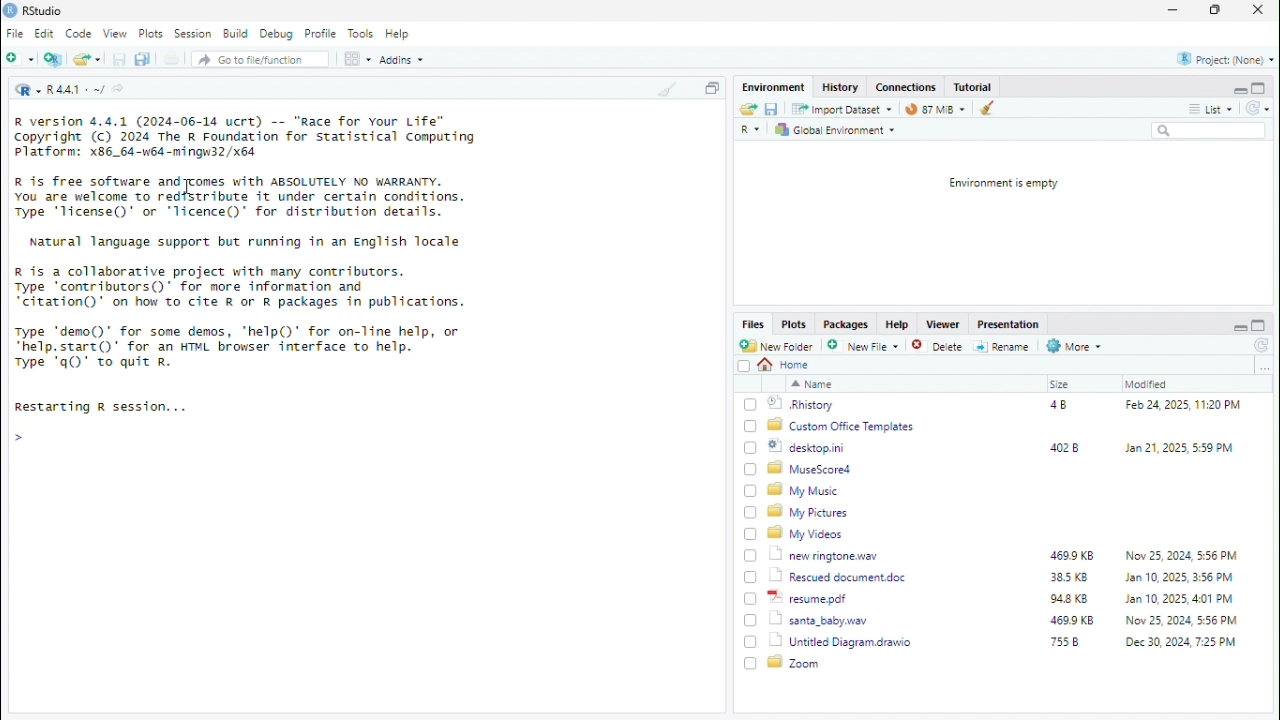  I want to click on Checkbox, so click(751, 578).